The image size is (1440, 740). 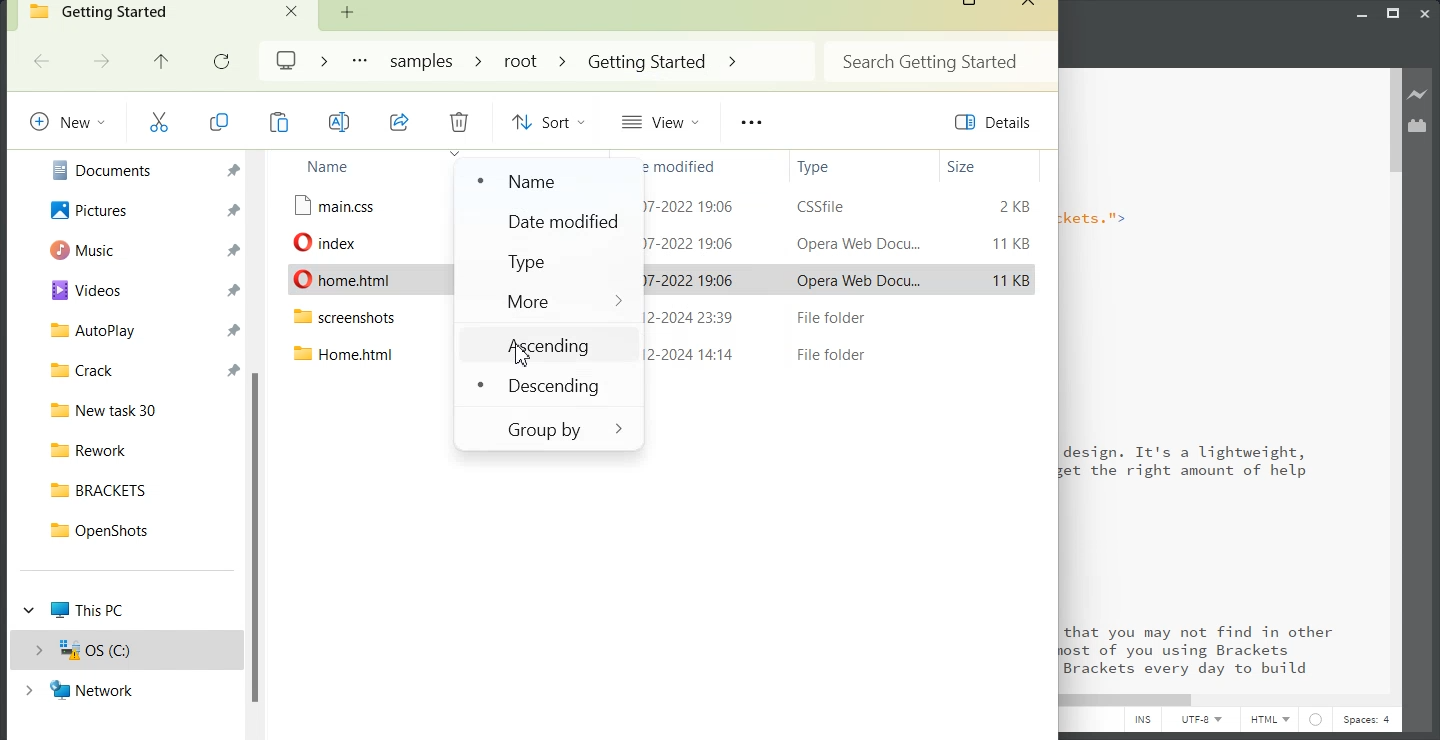 I want to click on Share, so click(x=400, y=122).